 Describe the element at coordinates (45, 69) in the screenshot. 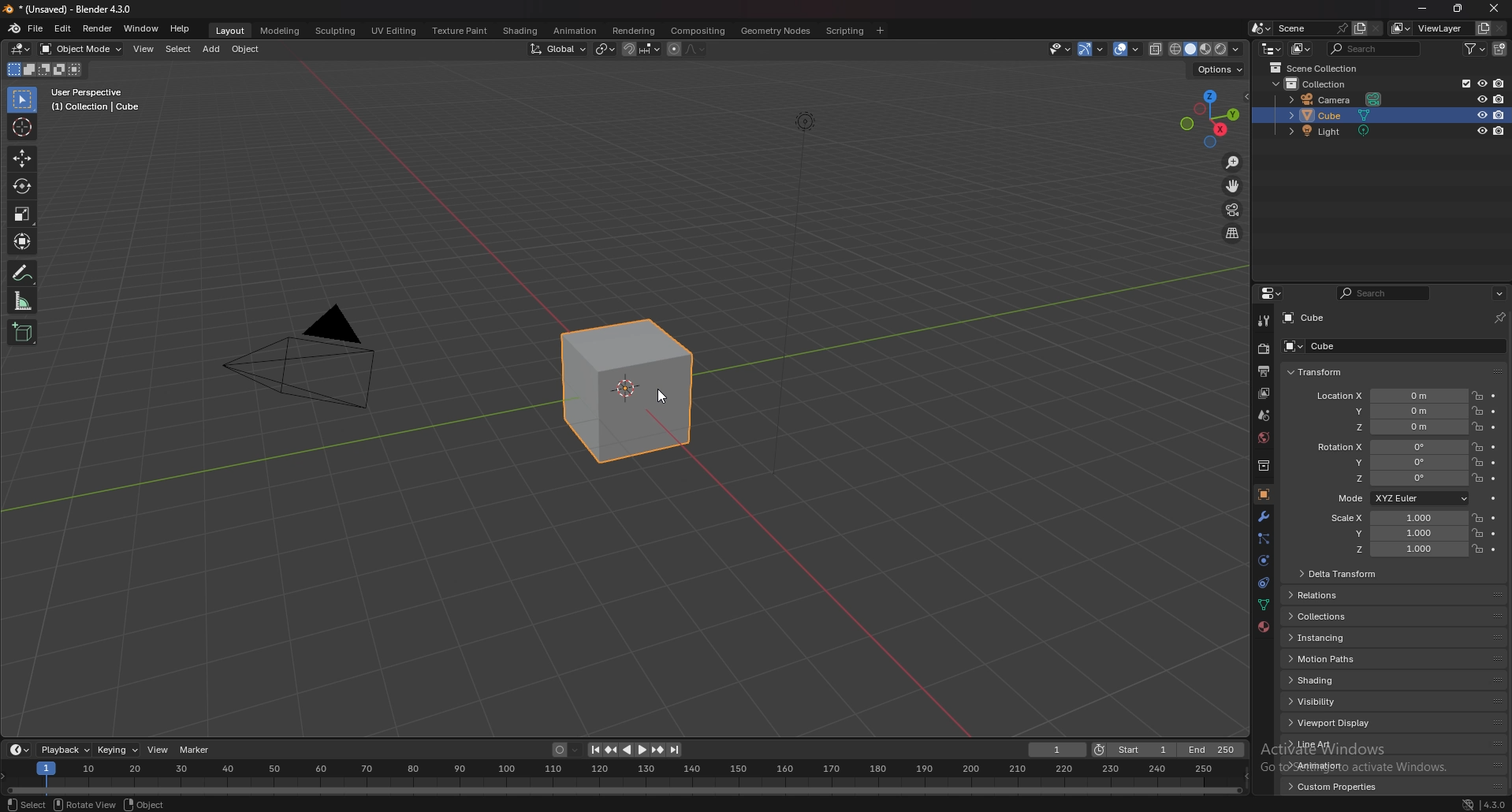

I see `modes` at that location.